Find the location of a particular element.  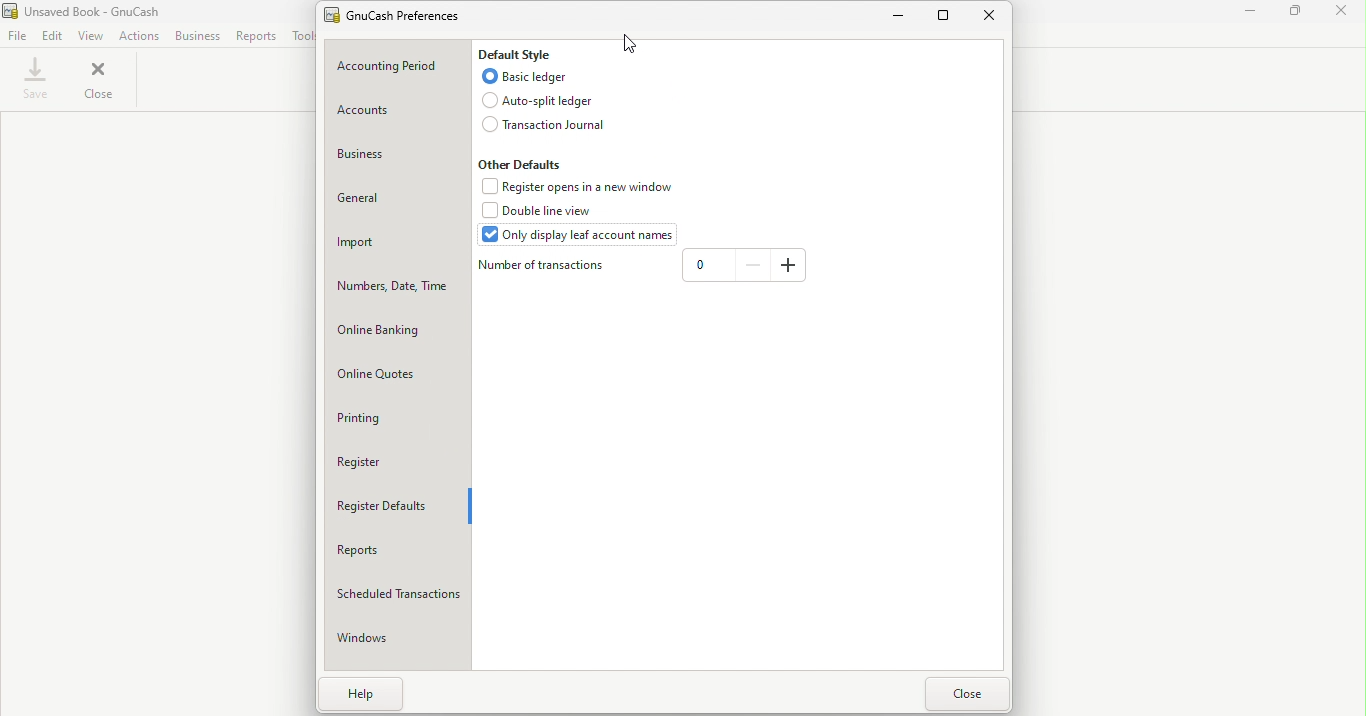

Import is located at coordinates (396, 241).